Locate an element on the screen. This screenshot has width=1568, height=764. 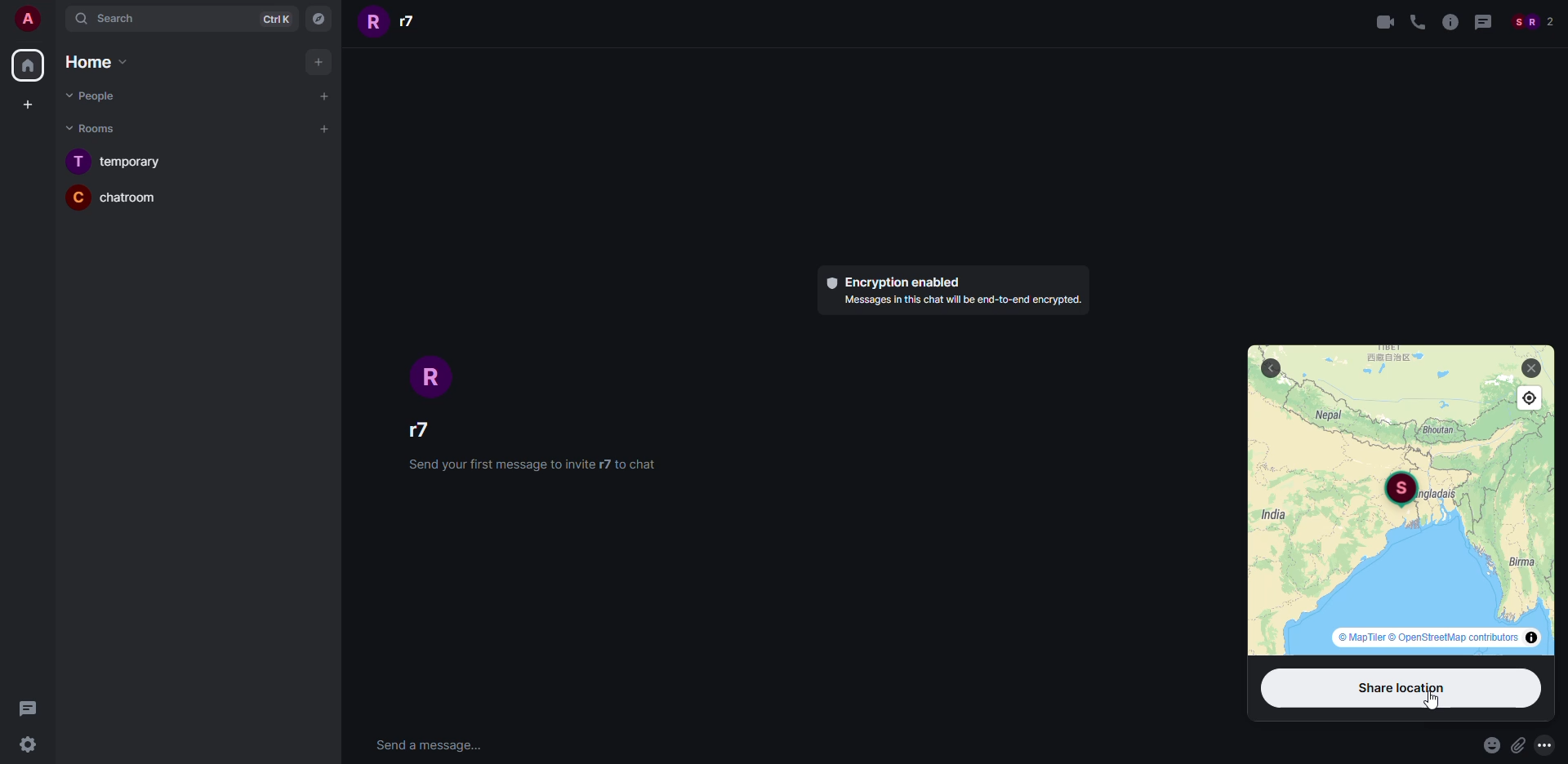
Home is located at coordinates (91, 61).